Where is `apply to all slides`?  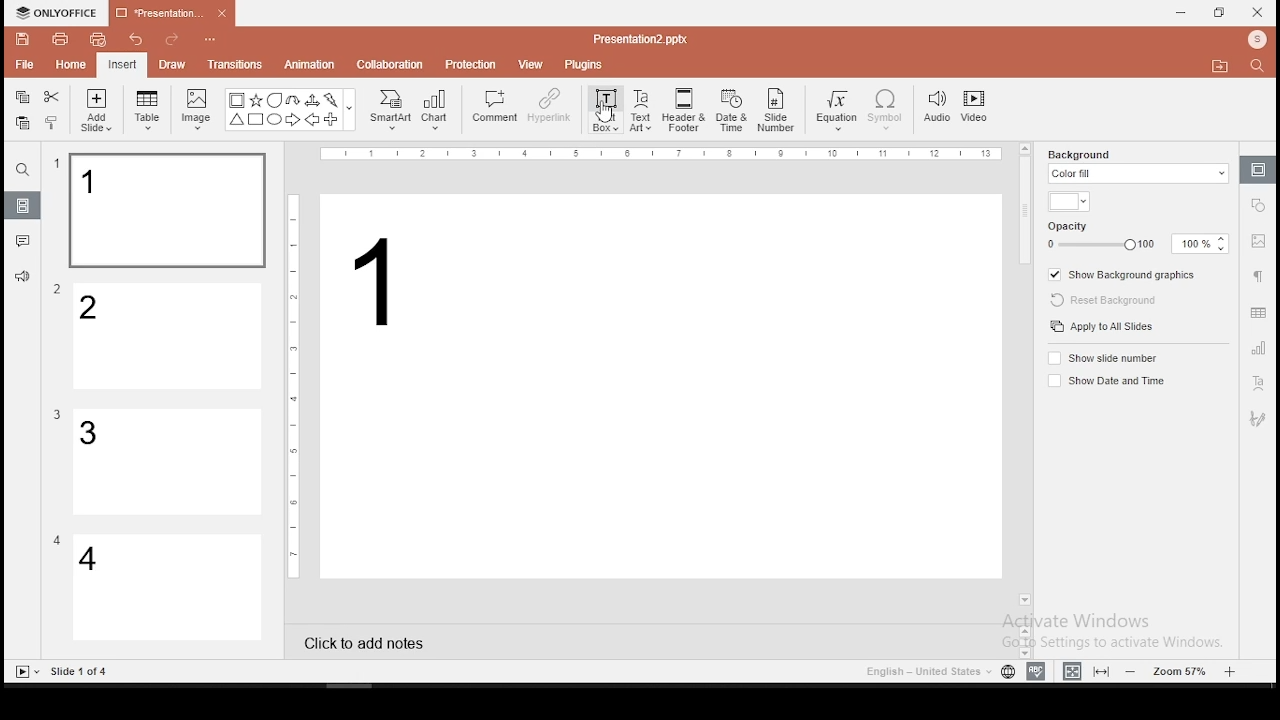
apply to all slides is located at coordinates (1101, 328).